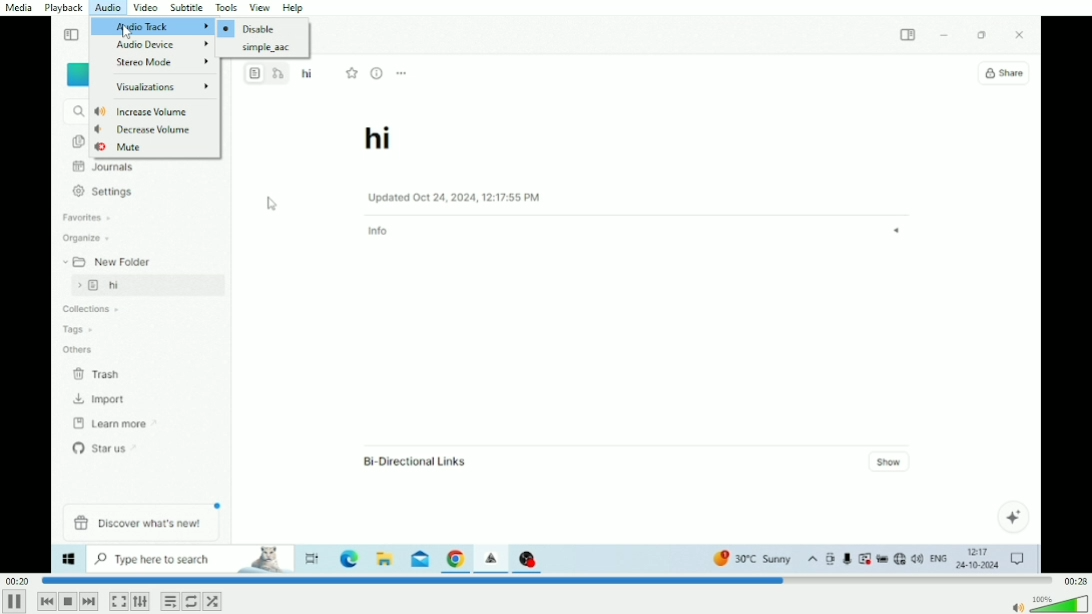  What do you see at coordinates (267, 48) in the screenshot?
I see `simple_aac` at bounding box center [267, 48].